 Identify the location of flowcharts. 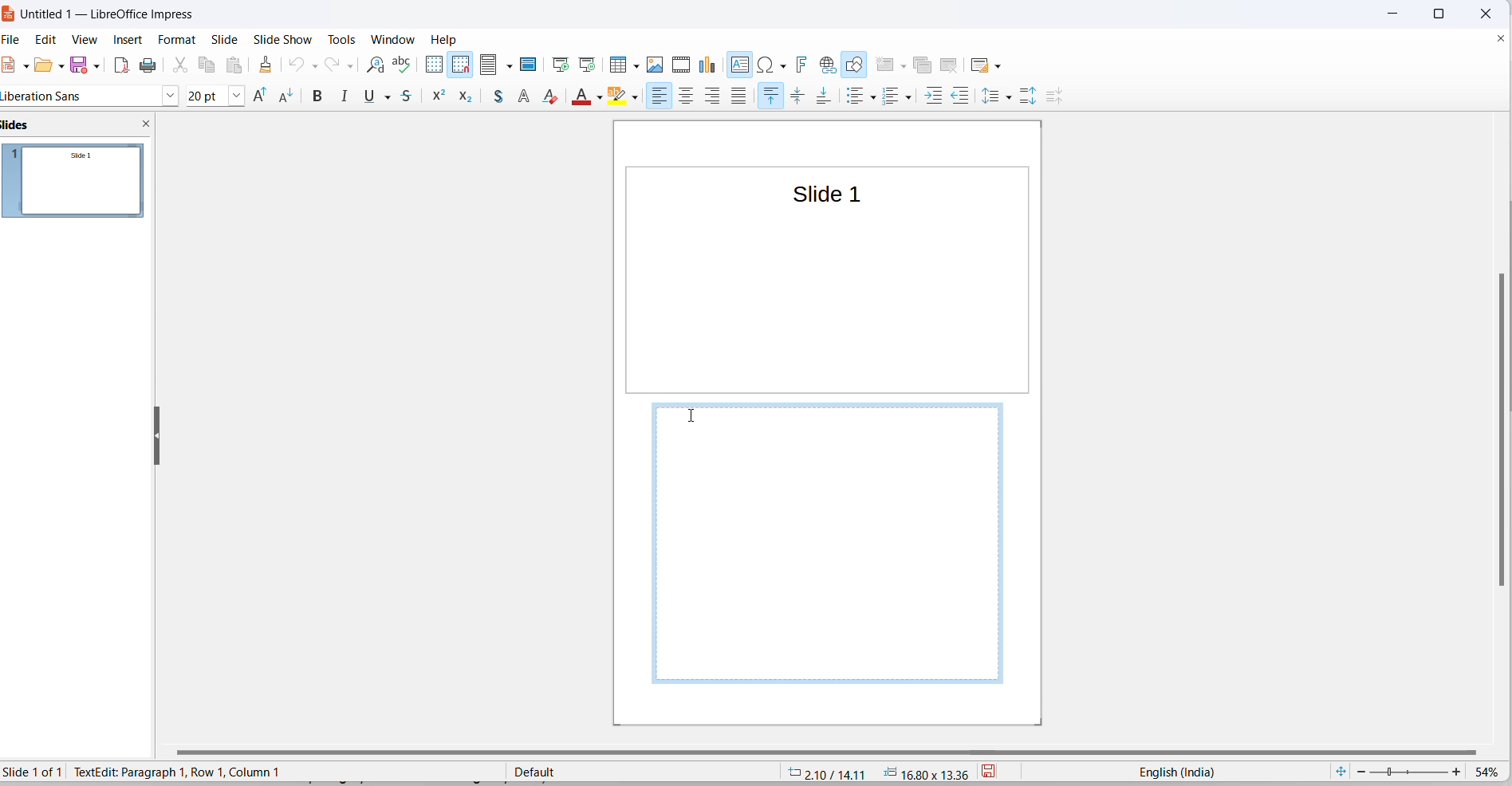
(445, 99).